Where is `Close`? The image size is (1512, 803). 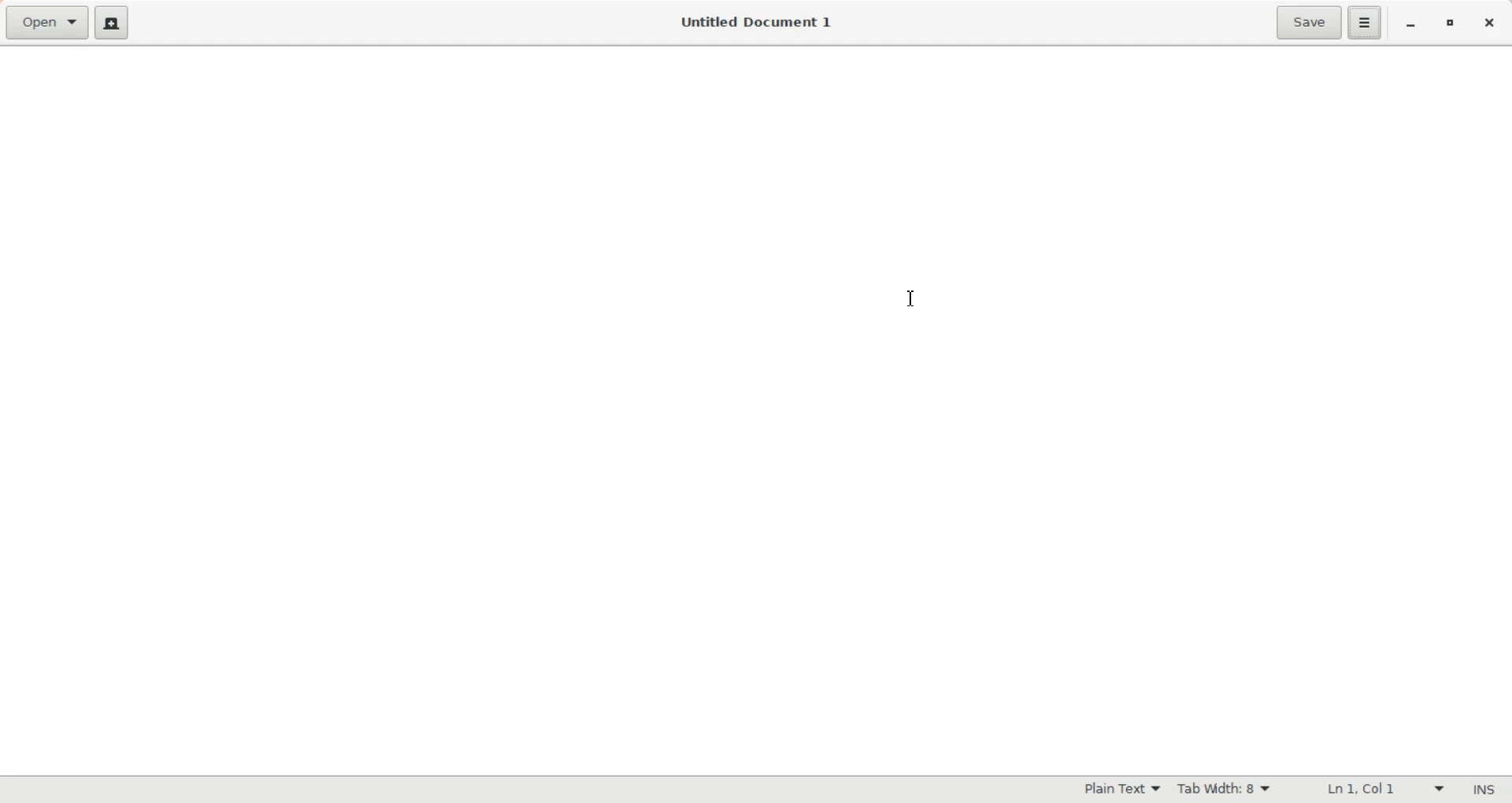 Close is located at coordinates (1489, 24).